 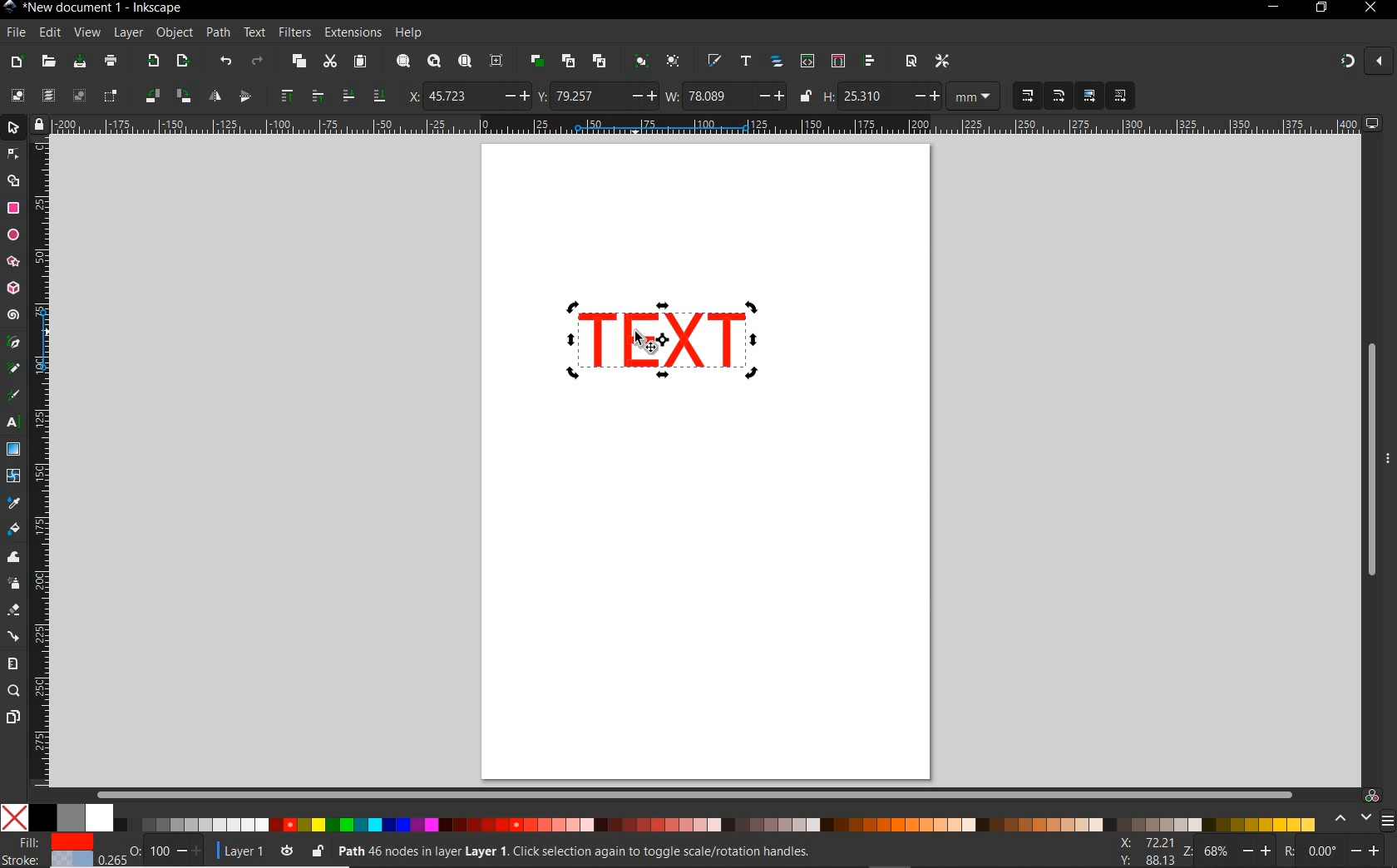 I want to click on OPEN OBJECTS, so click(x=776, y=62).